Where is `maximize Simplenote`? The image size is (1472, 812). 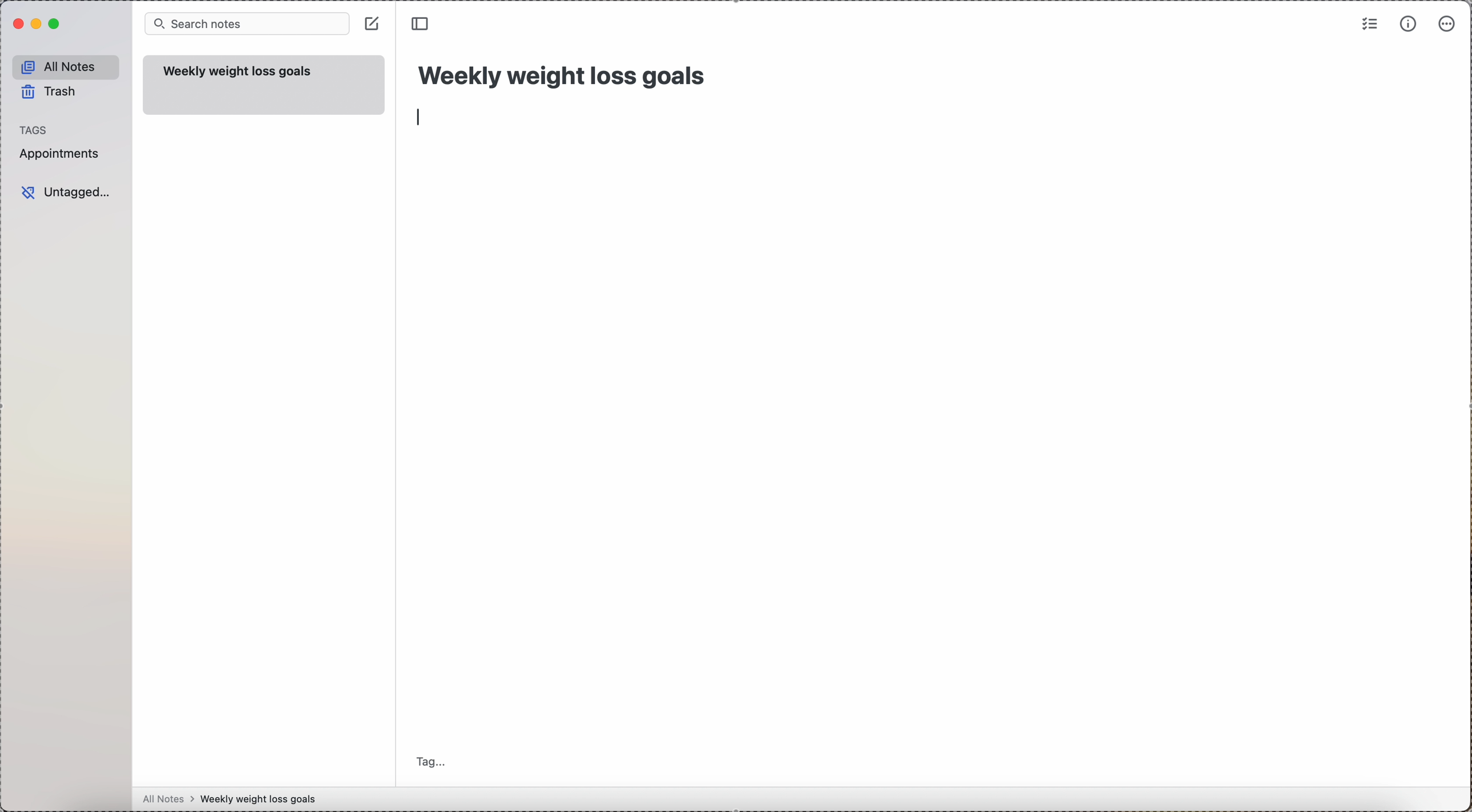
maximize Simplenote is located at coordinates (56, 24).